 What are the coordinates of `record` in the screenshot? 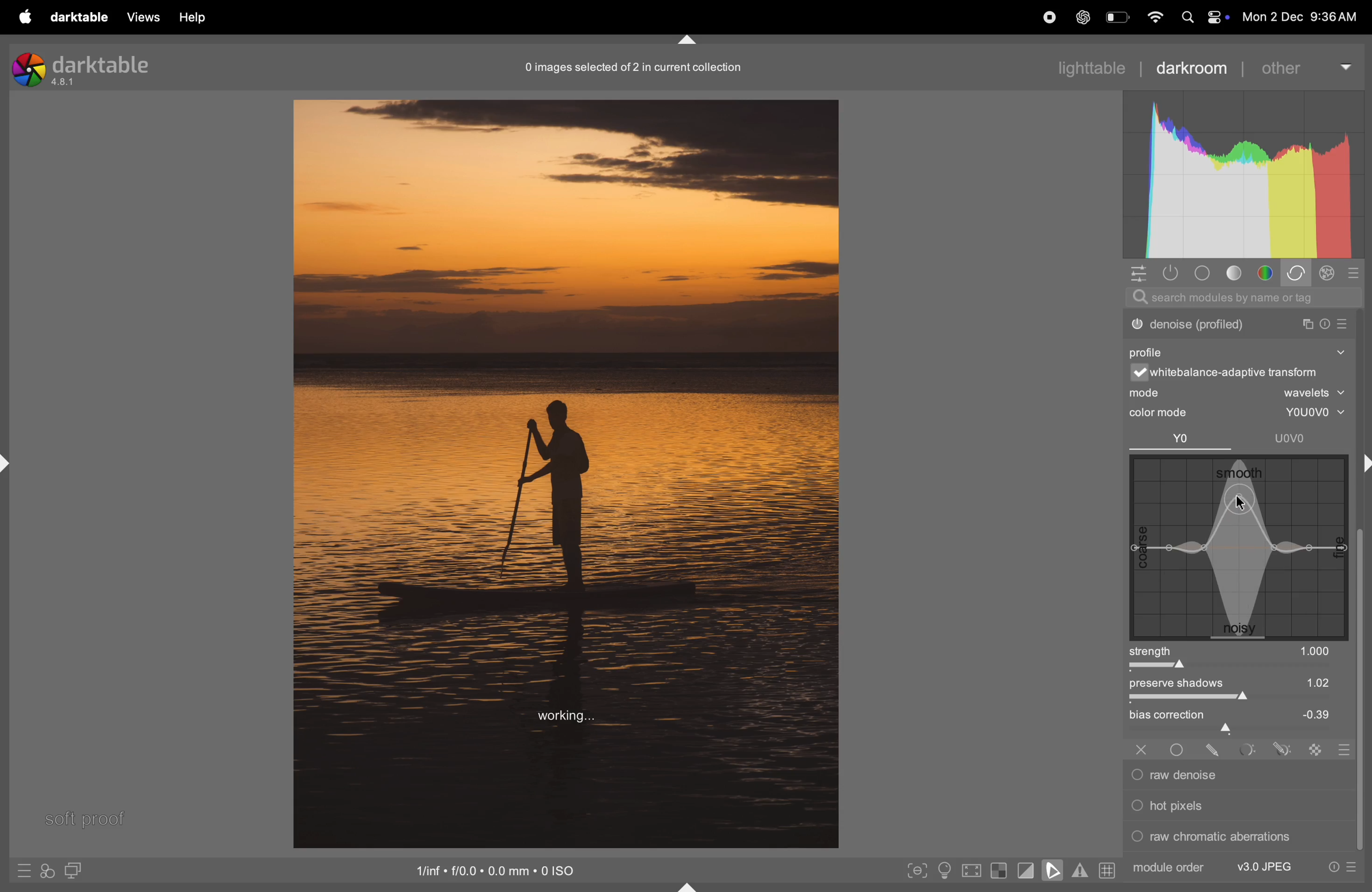 It's located at (1043, 18).